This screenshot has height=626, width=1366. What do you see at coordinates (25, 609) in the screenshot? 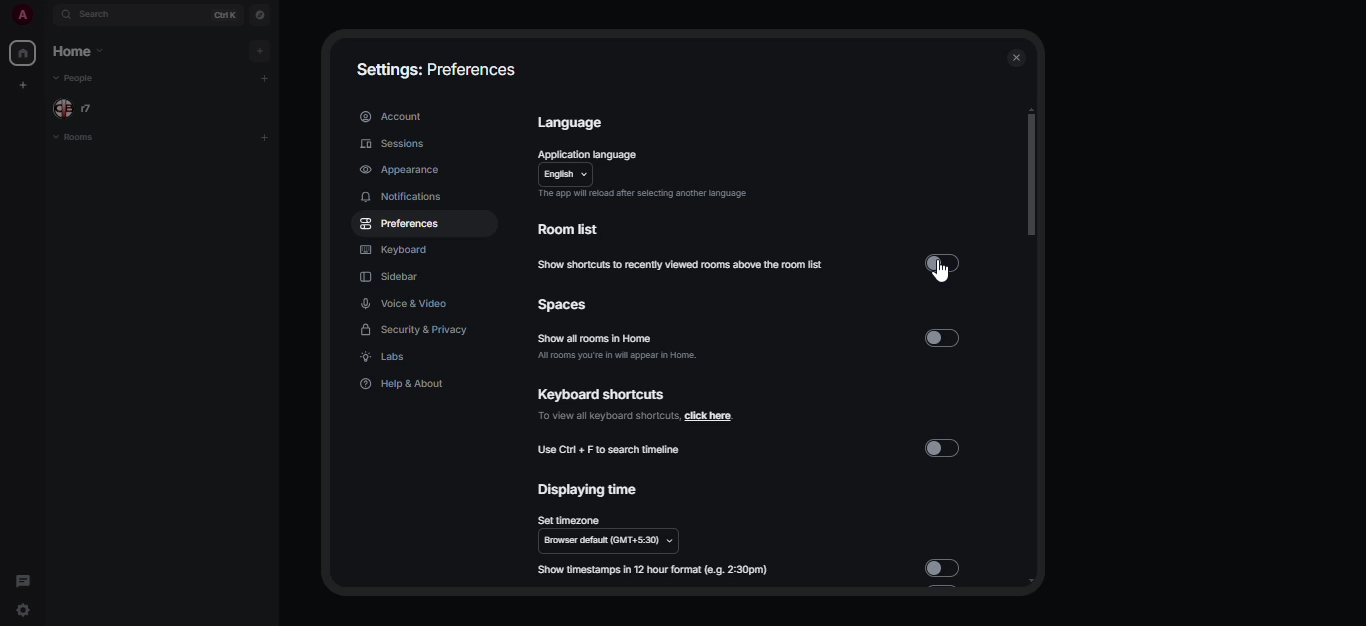
I see `quick settings` at bounding box center [25, 609].